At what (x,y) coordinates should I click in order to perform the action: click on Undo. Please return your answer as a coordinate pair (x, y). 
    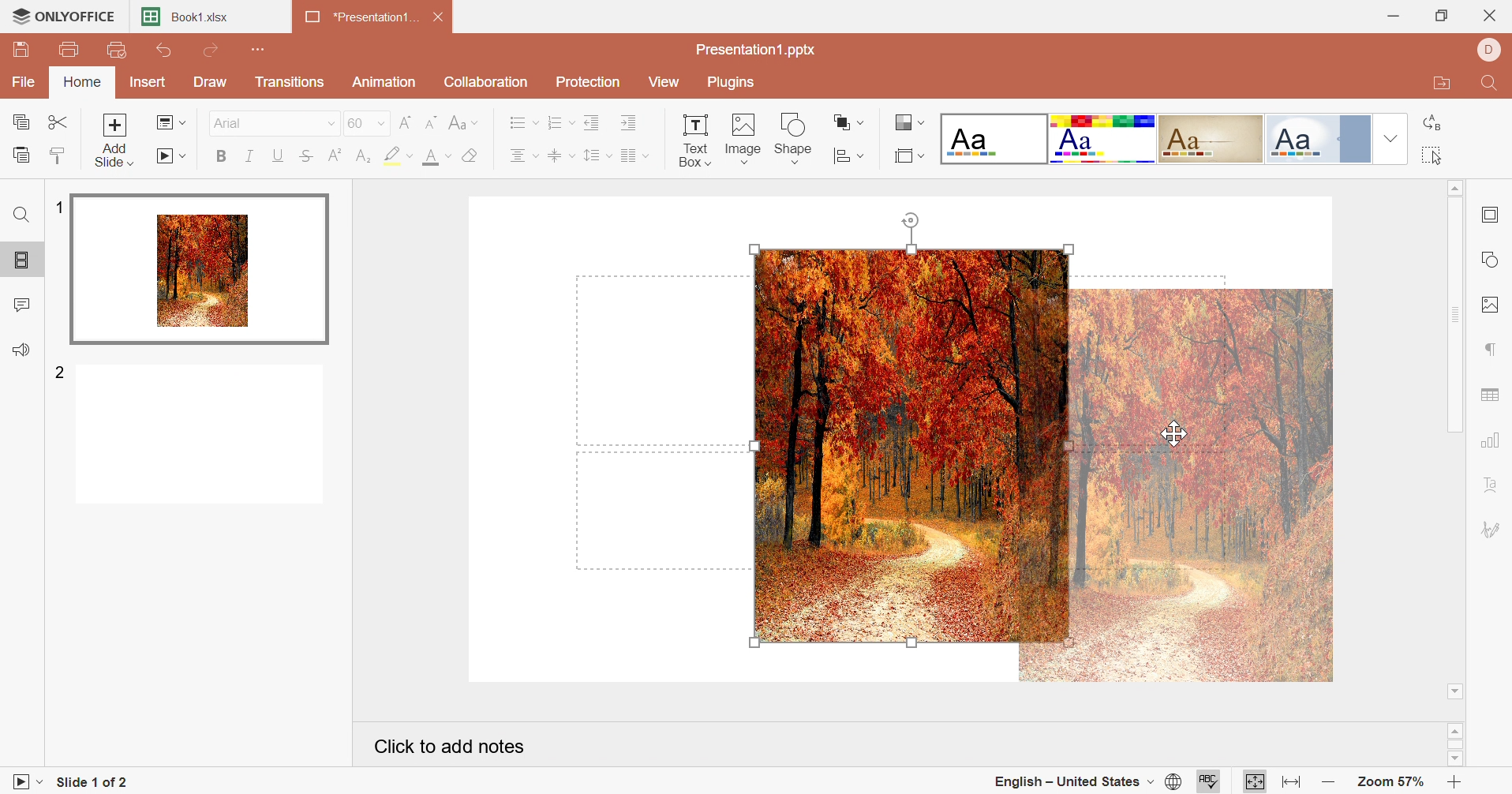
    Looking at the image, I should click on (165, 51).